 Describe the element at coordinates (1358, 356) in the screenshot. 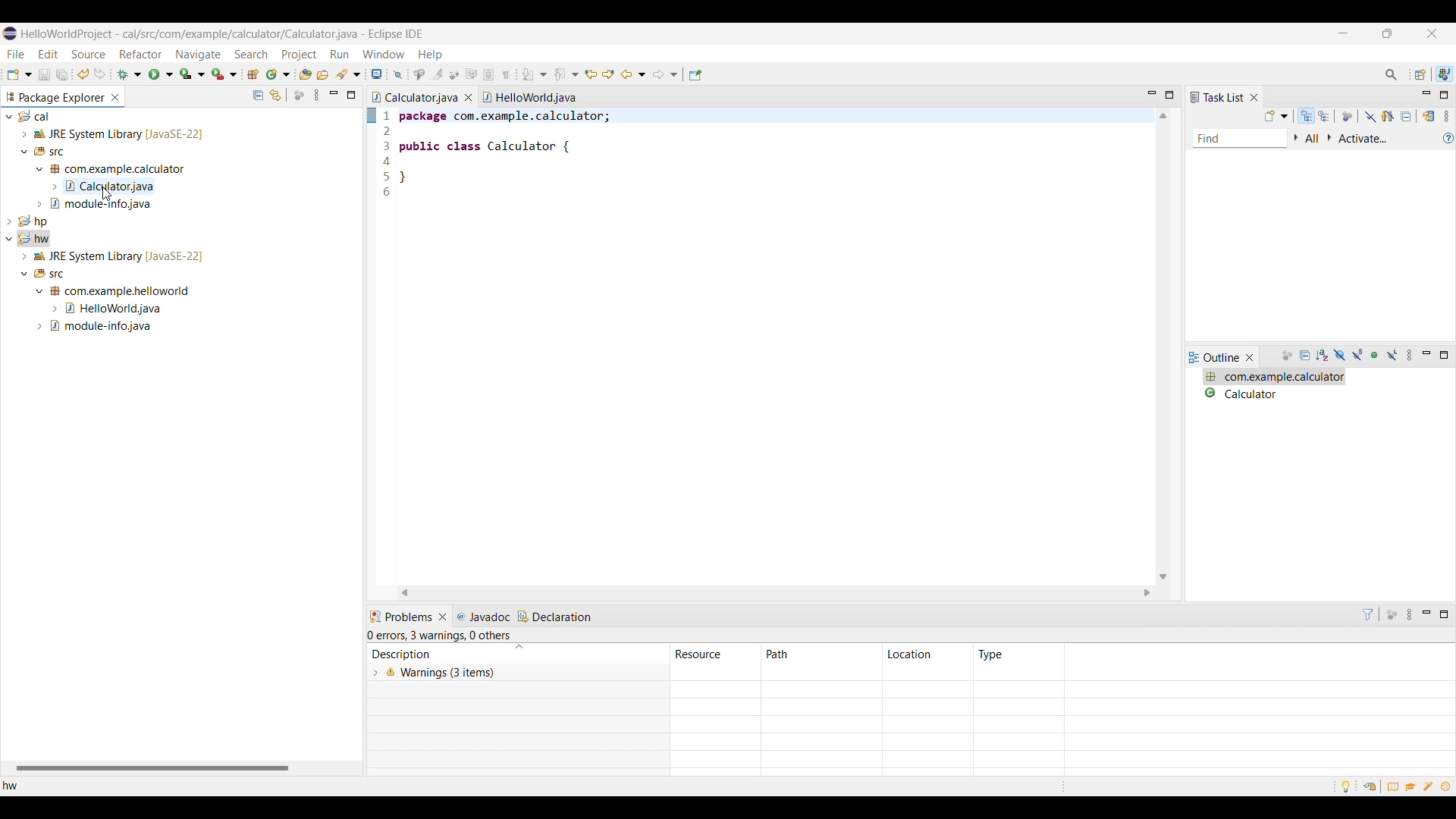

I see `Hide static fields and methods` at that location.